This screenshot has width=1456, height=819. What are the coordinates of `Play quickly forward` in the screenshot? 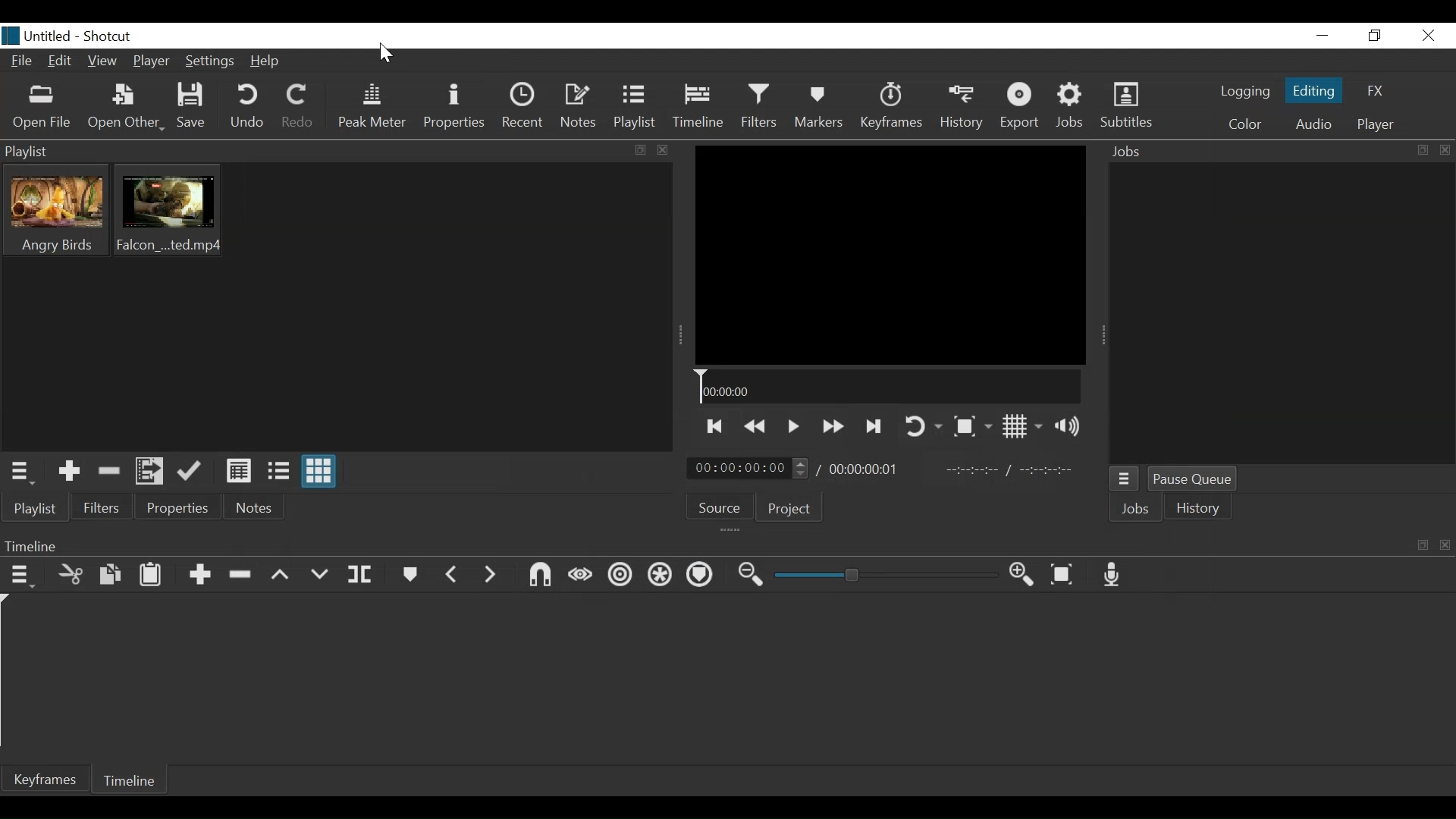 It's located at (833, 426).